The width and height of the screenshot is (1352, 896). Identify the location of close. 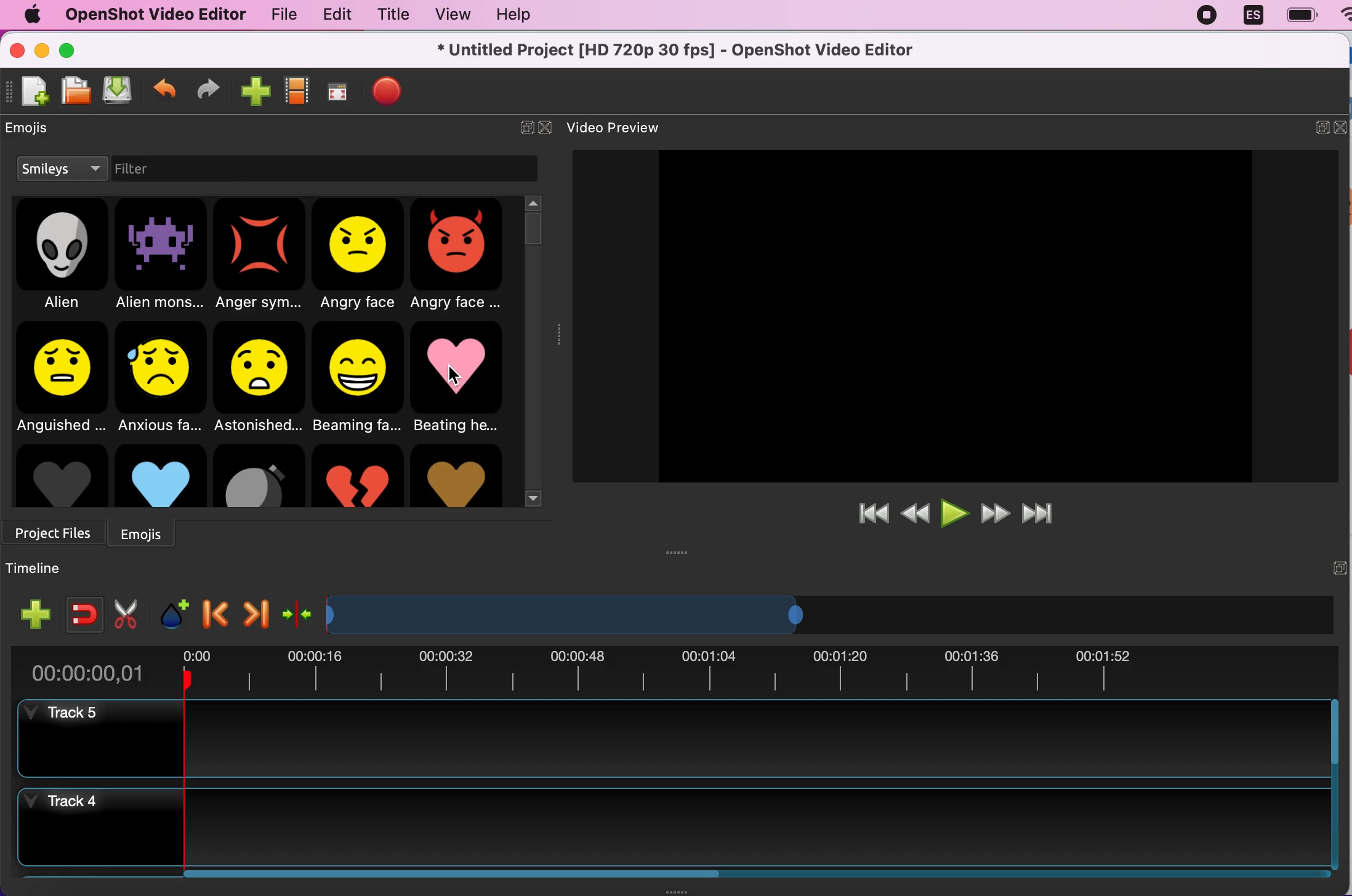
(1343, 127).